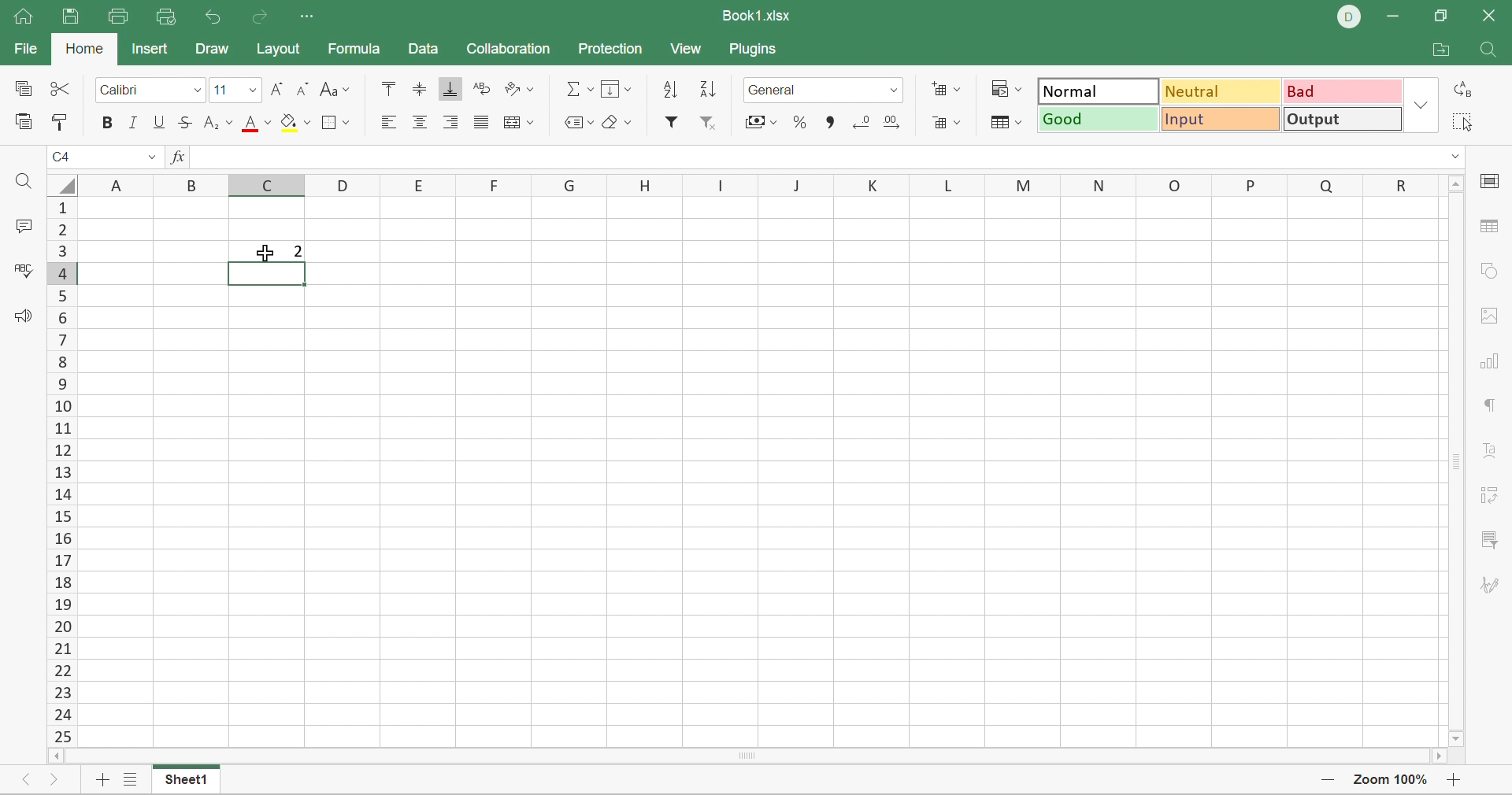 The width and height of the screenshot is (1512, 795). What do you see at coordinates (187, 125) in the screenshot?
I see `Strikethrough` at bounding box center [187, 125].